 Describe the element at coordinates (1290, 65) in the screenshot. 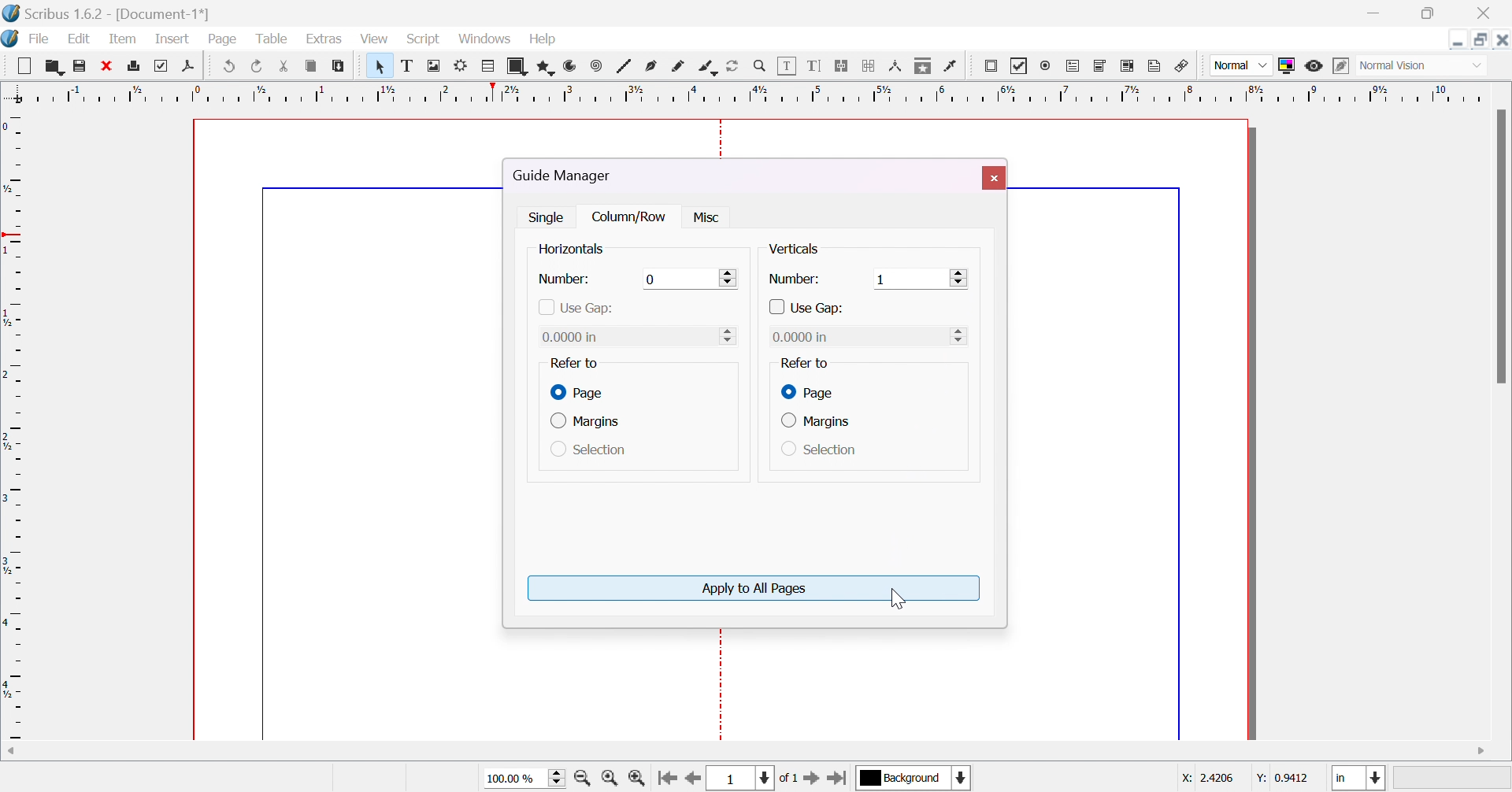

I see `toggle color management system` at that location.